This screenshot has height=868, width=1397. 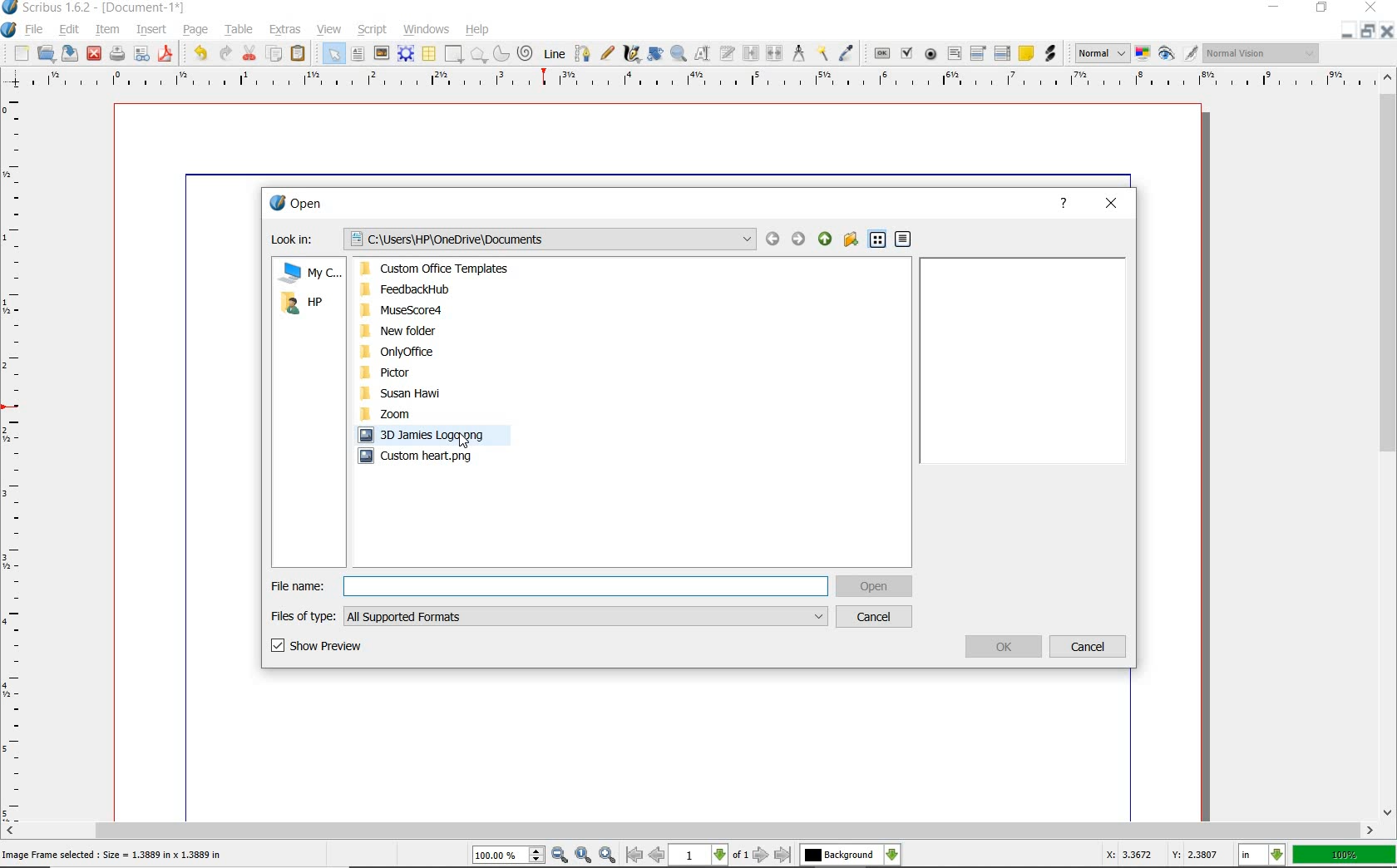 What do you see at coordinates (583, 52) in the screenshot?
I see `Bezier curve` at bounding box center [583, 52].